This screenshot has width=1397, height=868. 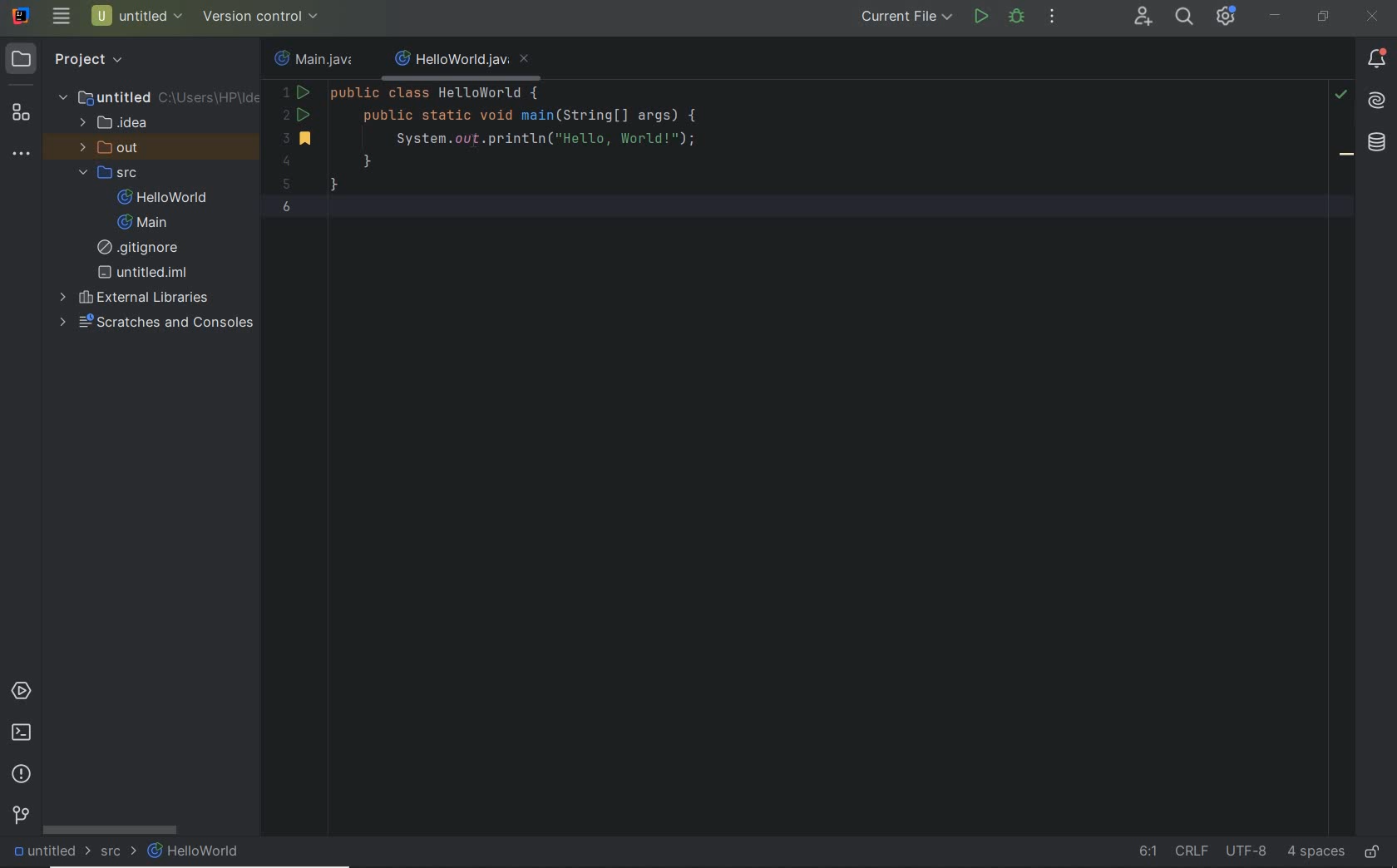 What do you see at coordinates (263, 18) in the screenshot?
I see `version control` at bounding box center [263, 18].